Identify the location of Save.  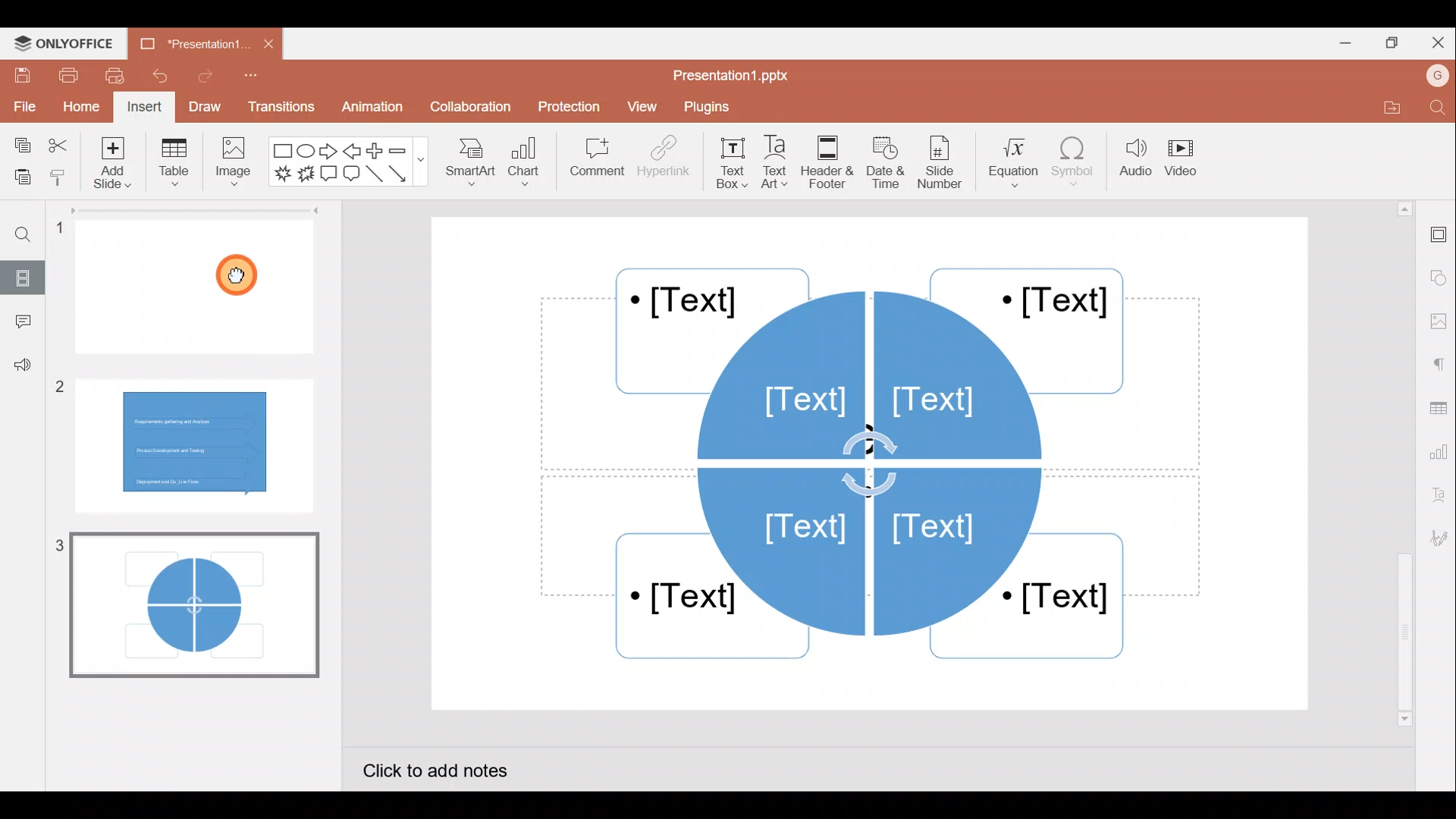
(20, 76).